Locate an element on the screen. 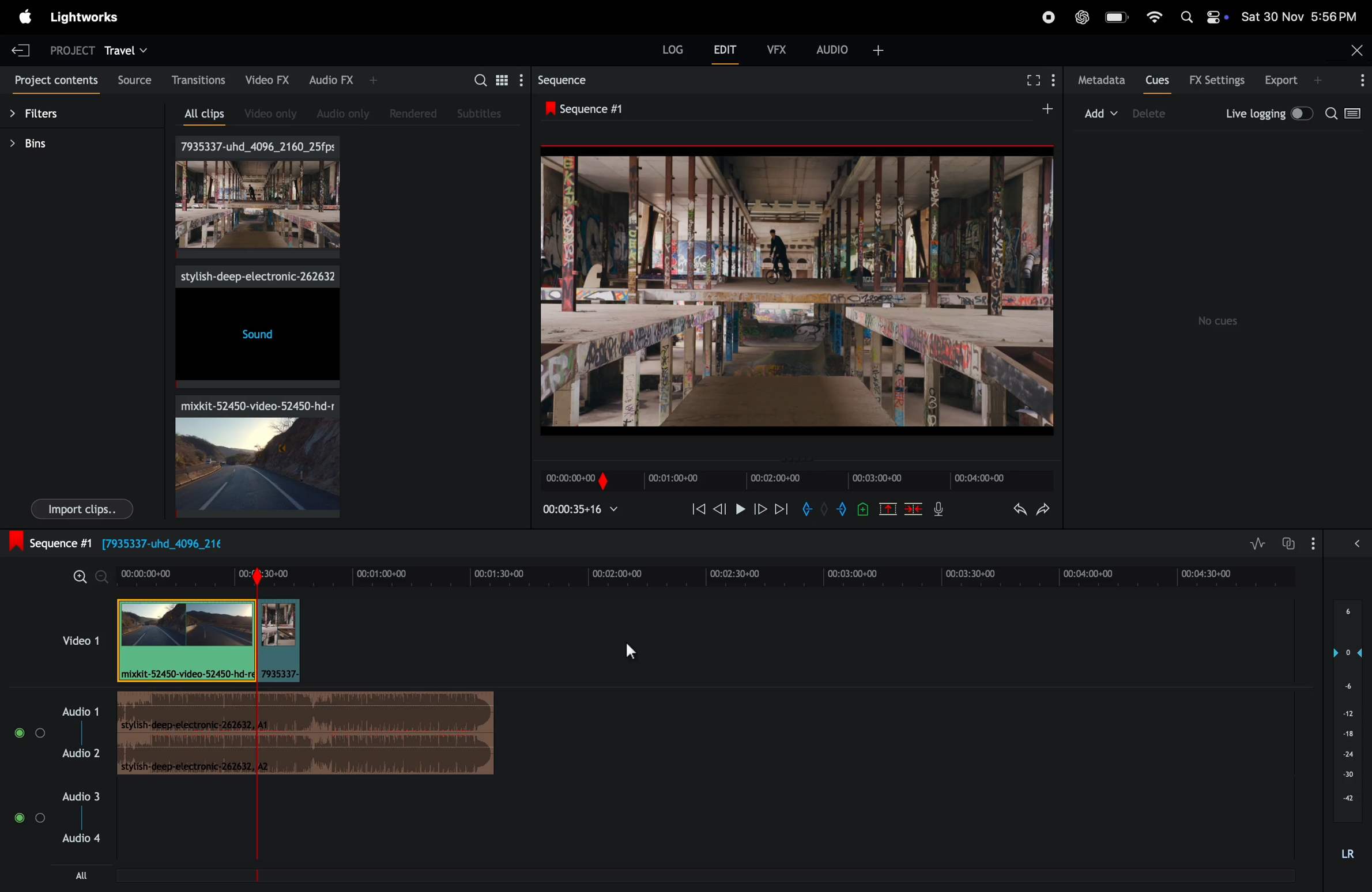  playback time is located at coordinates (585, 509).